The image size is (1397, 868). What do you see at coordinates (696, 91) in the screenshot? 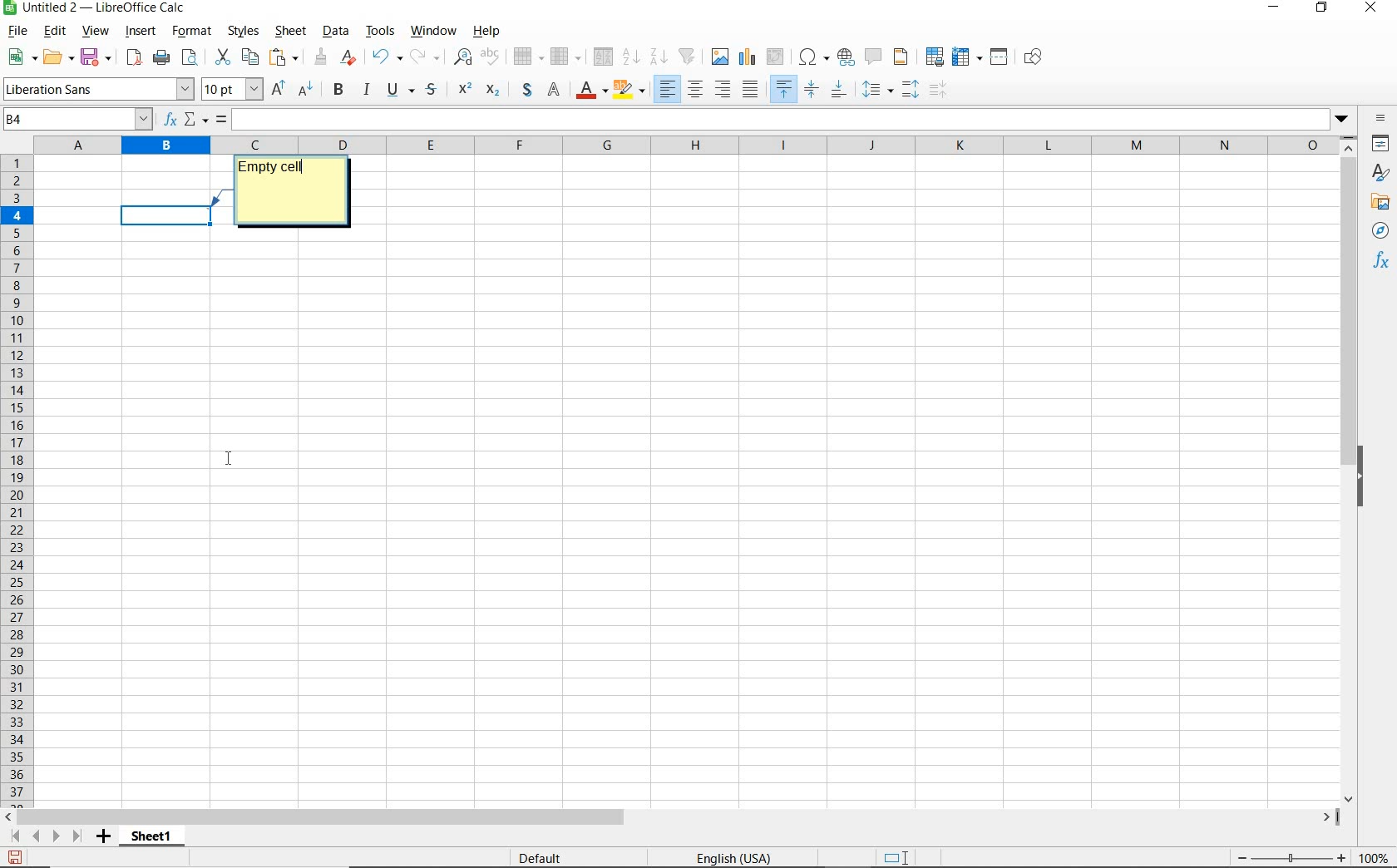
I see `align centre` at bounding box center [696, 91].